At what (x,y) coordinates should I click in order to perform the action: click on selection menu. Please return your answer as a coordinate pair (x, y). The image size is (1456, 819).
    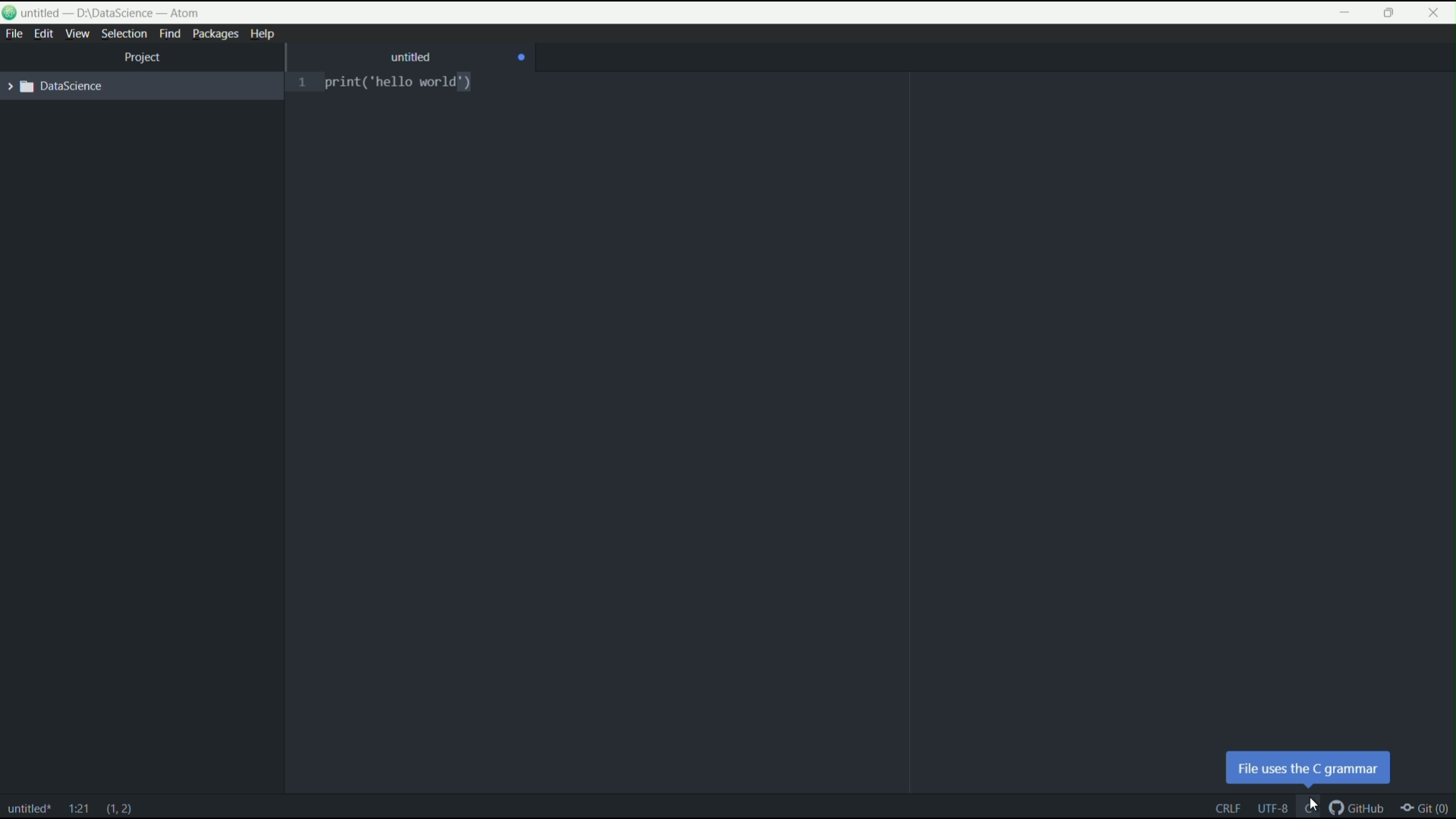
    Looking at the image, I should click on (124, 34).